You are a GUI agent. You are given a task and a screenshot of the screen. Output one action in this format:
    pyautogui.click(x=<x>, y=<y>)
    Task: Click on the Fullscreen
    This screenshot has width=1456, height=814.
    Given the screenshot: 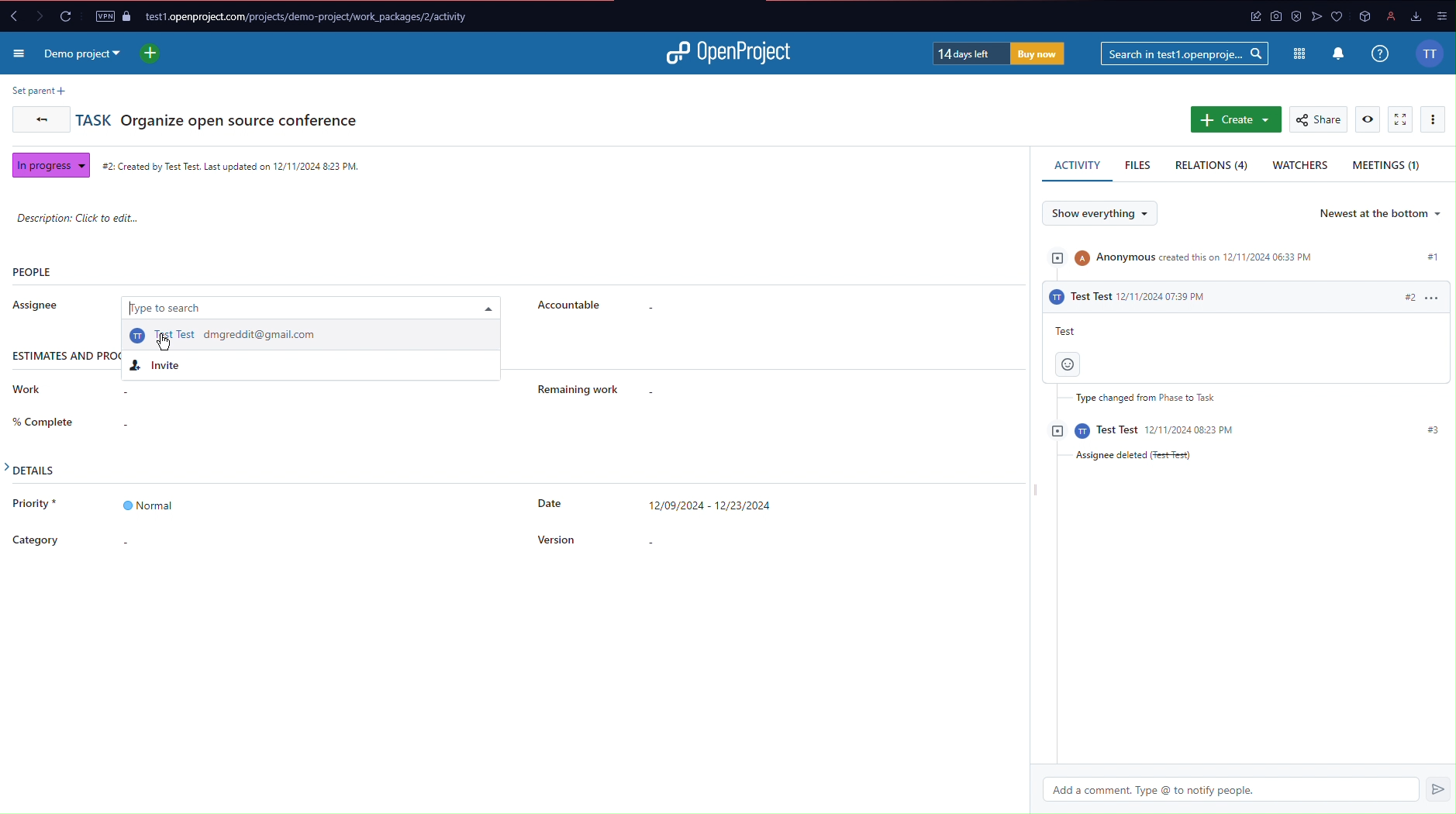 What is the action you would take?
    pyautogui.click(x=1401, y=119)
    